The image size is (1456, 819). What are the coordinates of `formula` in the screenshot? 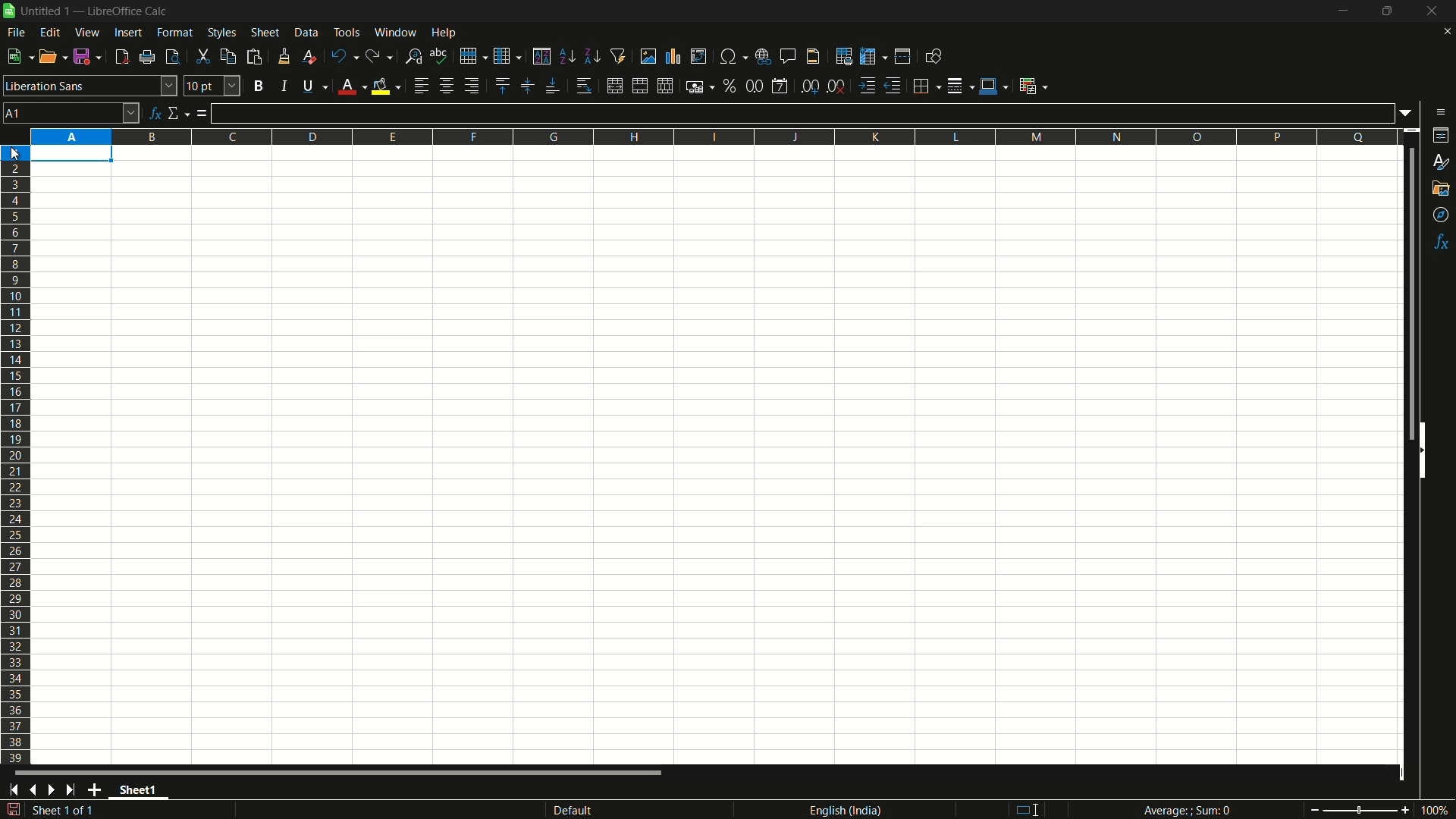 It's located at (202, 115).